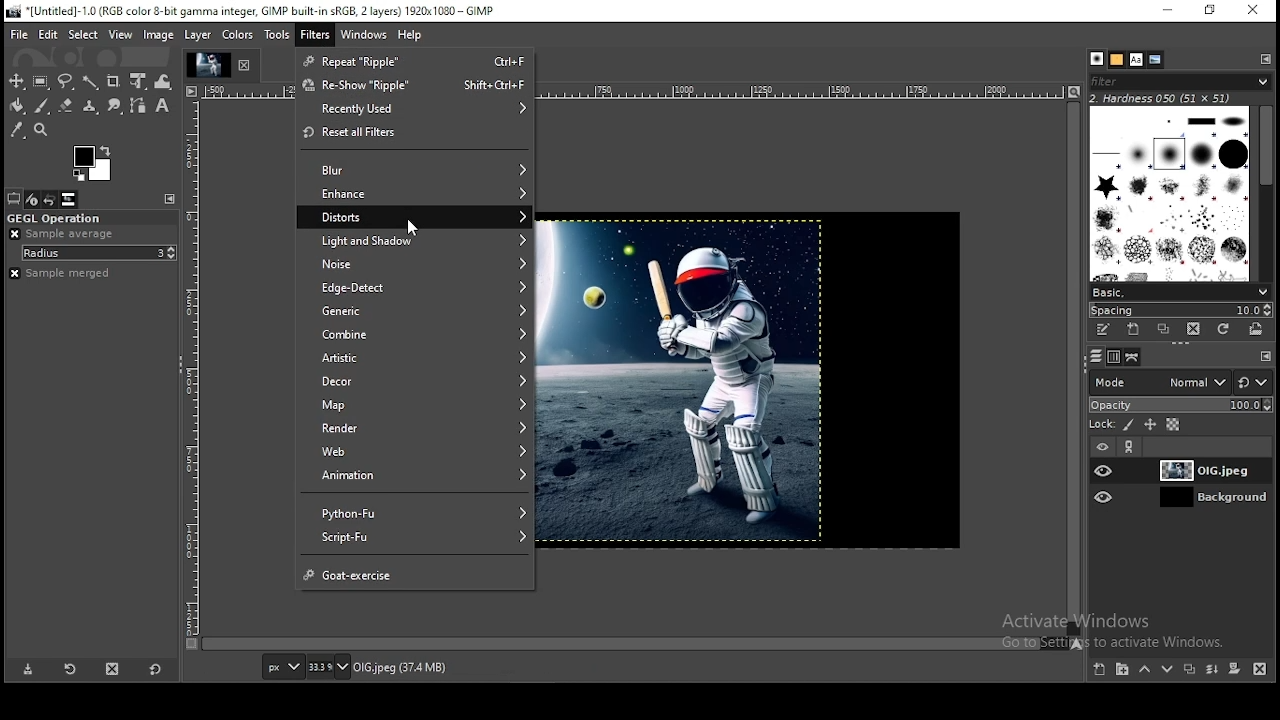  I want to click on document history, so click(1155, 60).